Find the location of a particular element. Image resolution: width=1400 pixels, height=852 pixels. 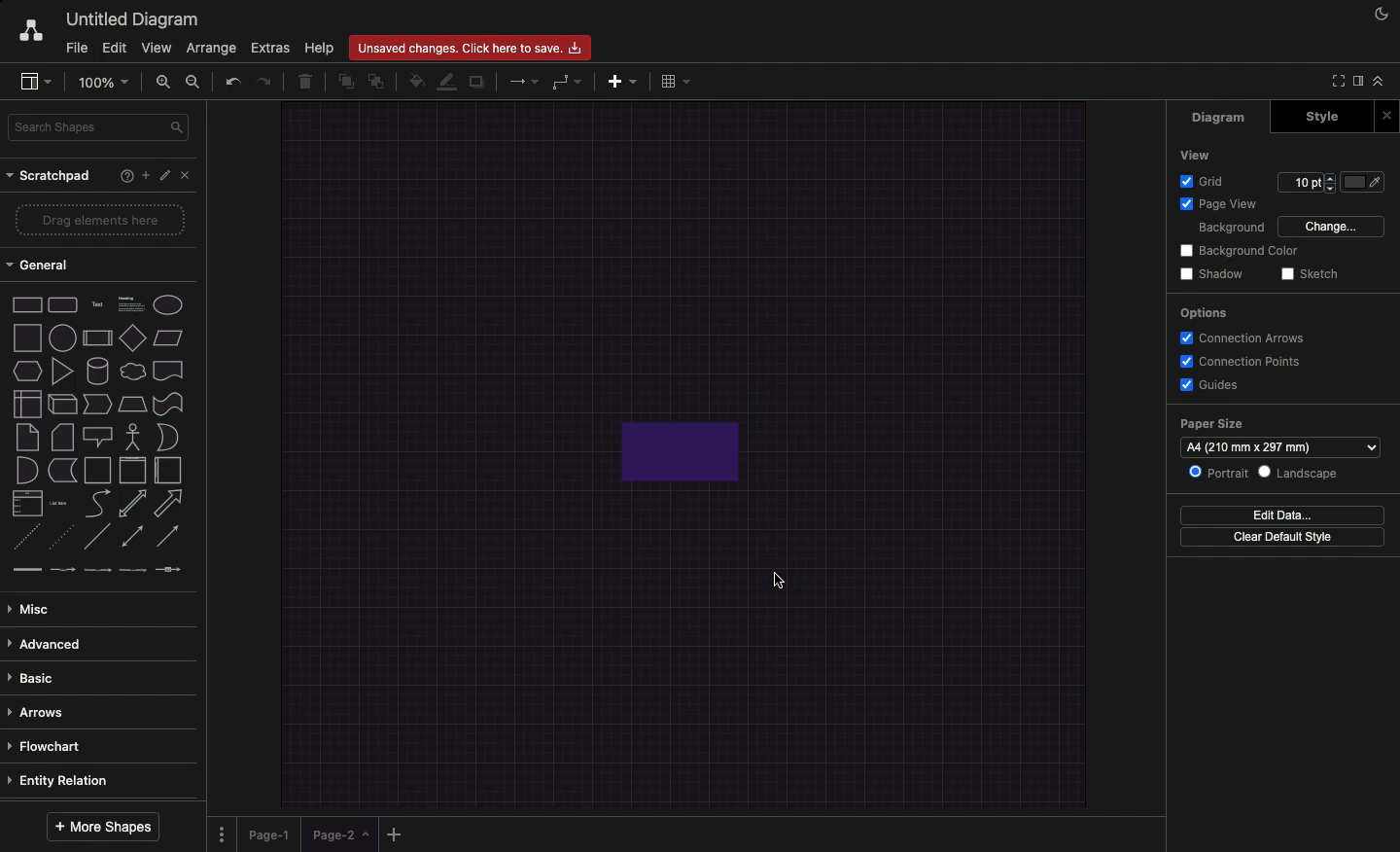

Edit data is located at coordinates (1282, 514).